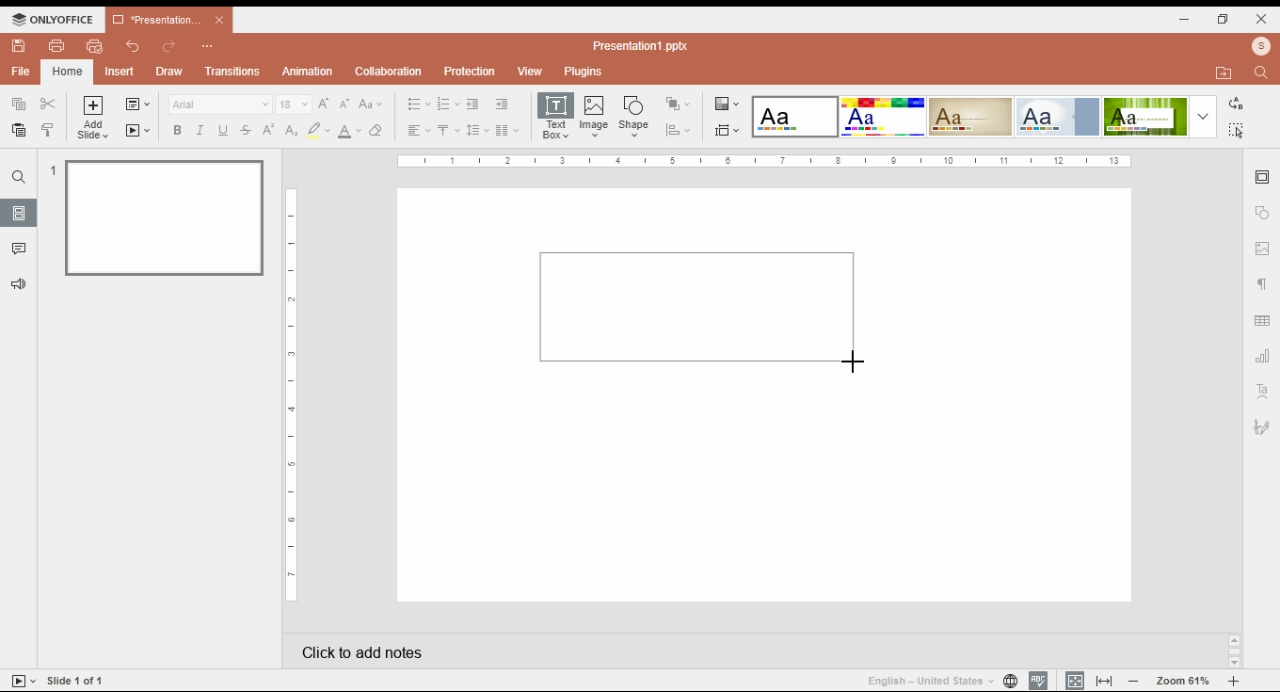  Describe the element at coordinates (1263, 359) in the screenshot. I see `chart settings` at that location.